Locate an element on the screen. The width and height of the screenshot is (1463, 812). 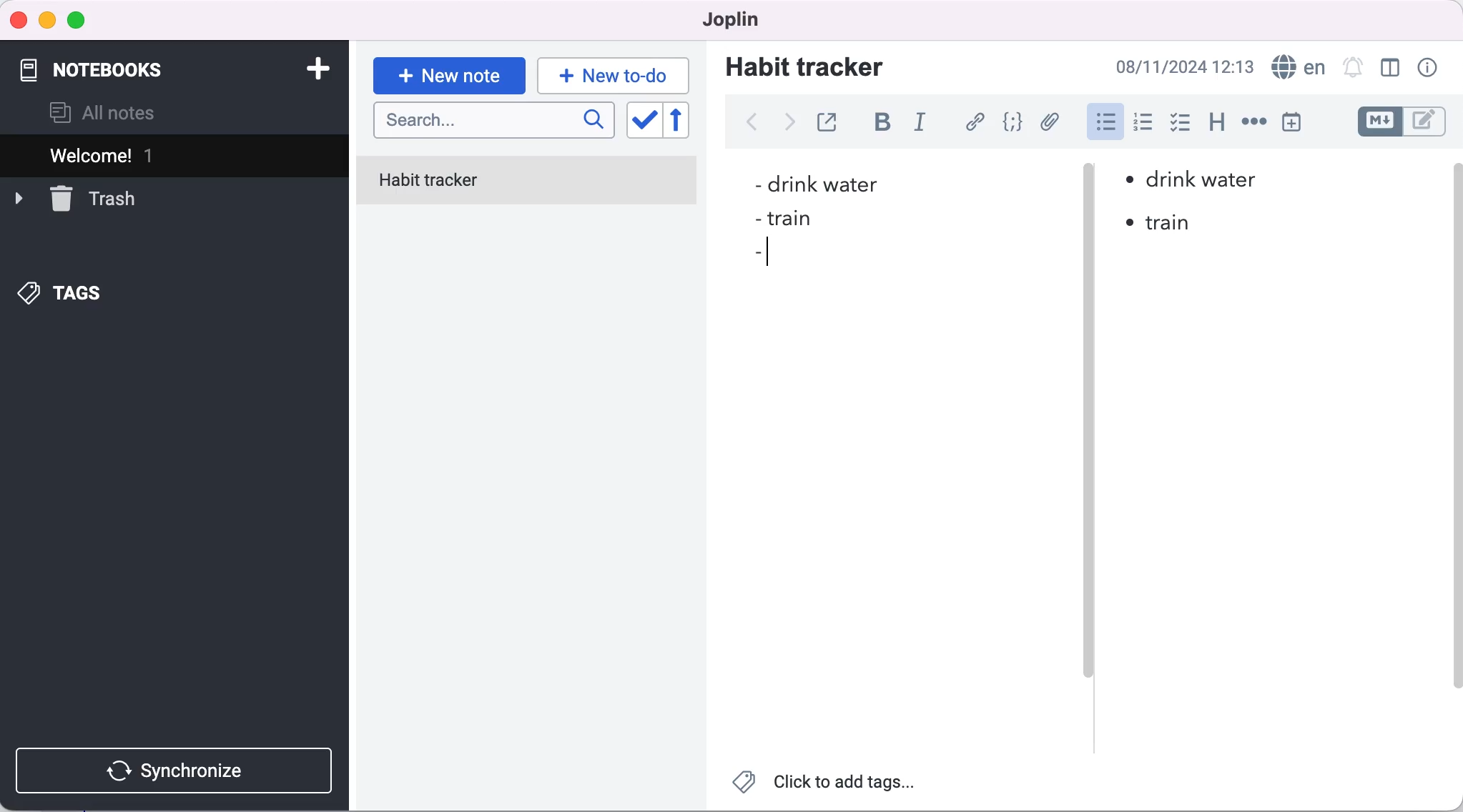
notebooks is located at coordinates (114, 63).